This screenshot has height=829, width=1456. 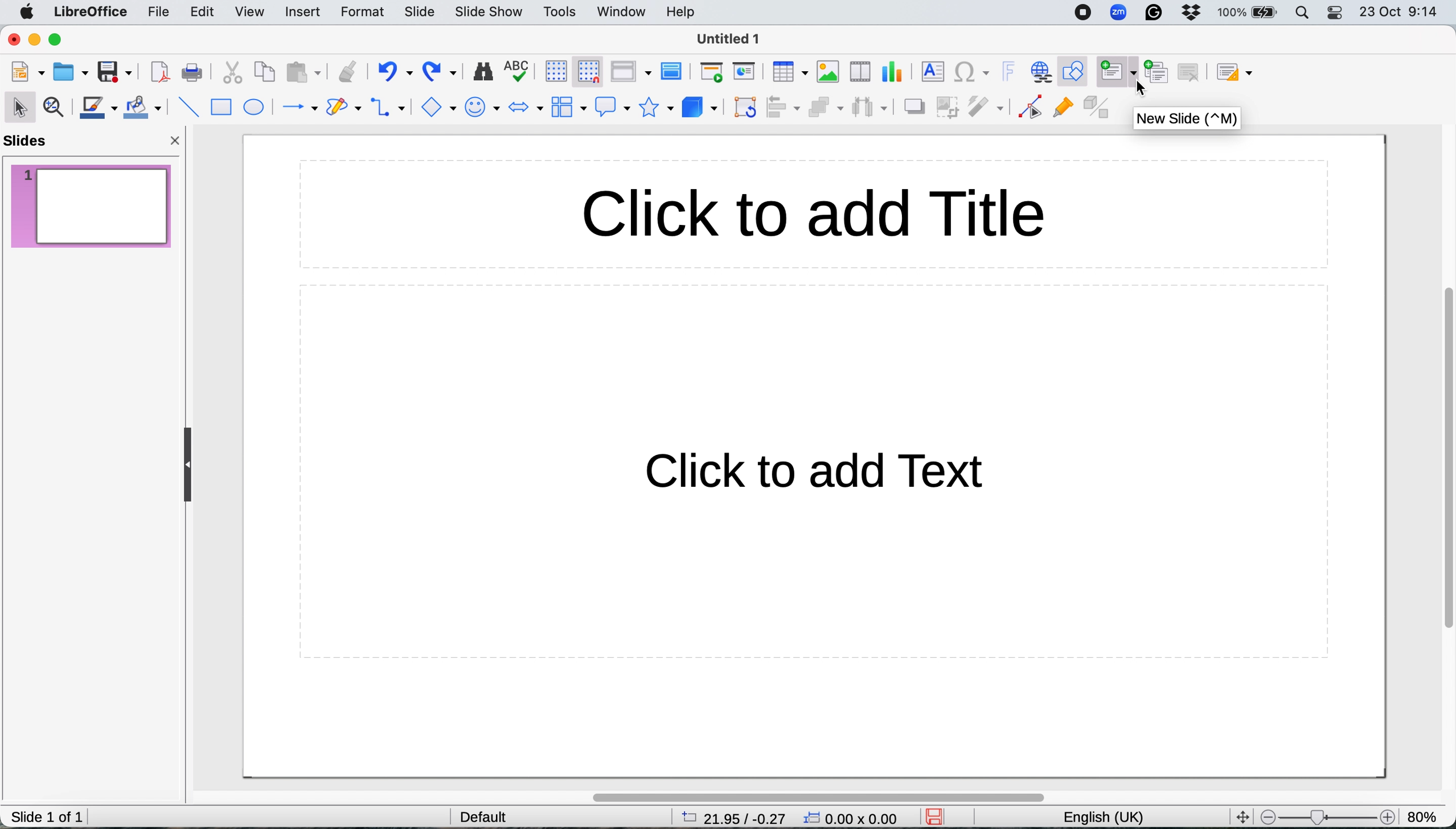 What do you see at coordinates (827, 71) in the screenshot?
I see `insert image` at bounding box center [827, 71].